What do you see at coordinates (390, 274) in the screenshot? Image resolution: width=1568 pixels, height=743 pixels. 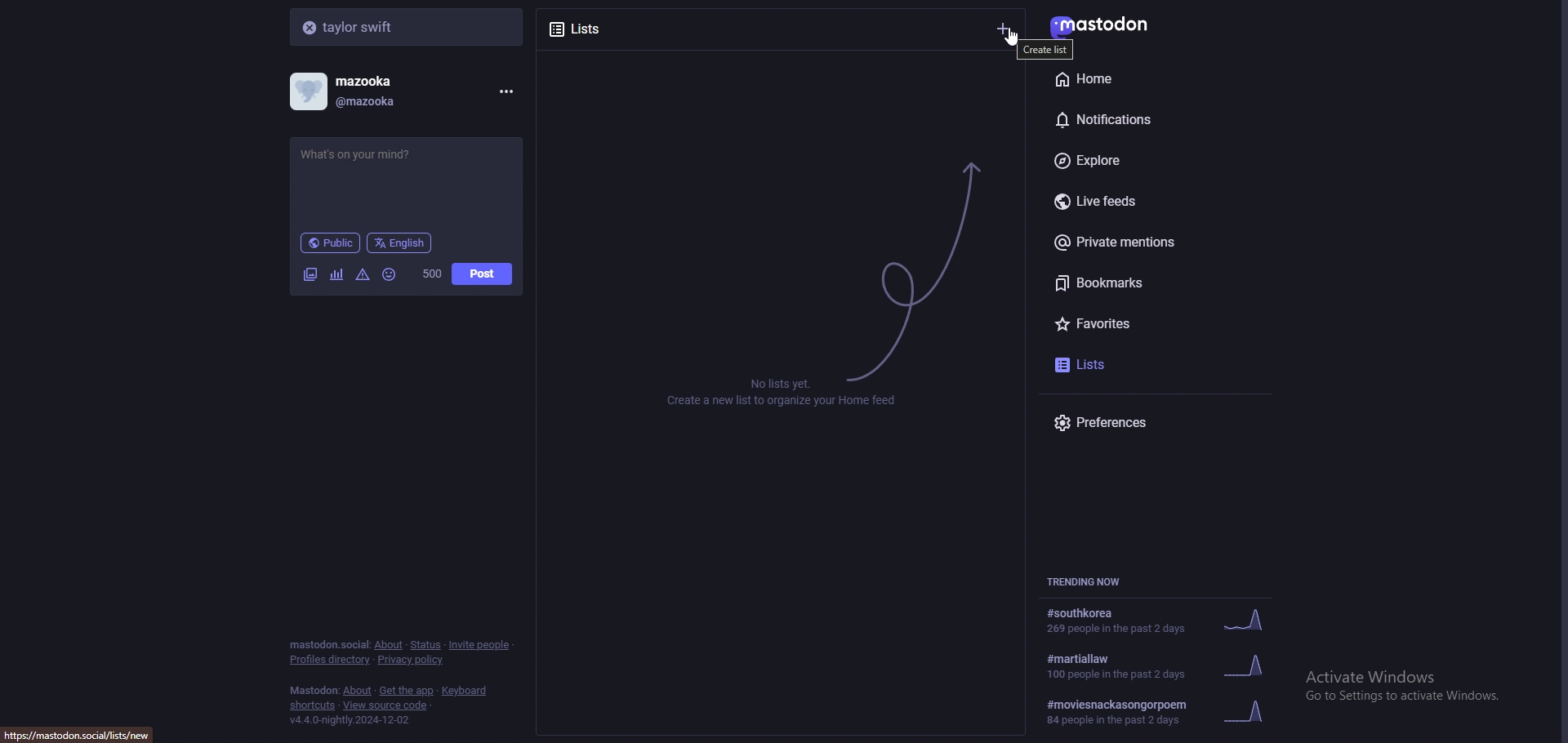 I see `emoji` at bounding box center [390, 274].